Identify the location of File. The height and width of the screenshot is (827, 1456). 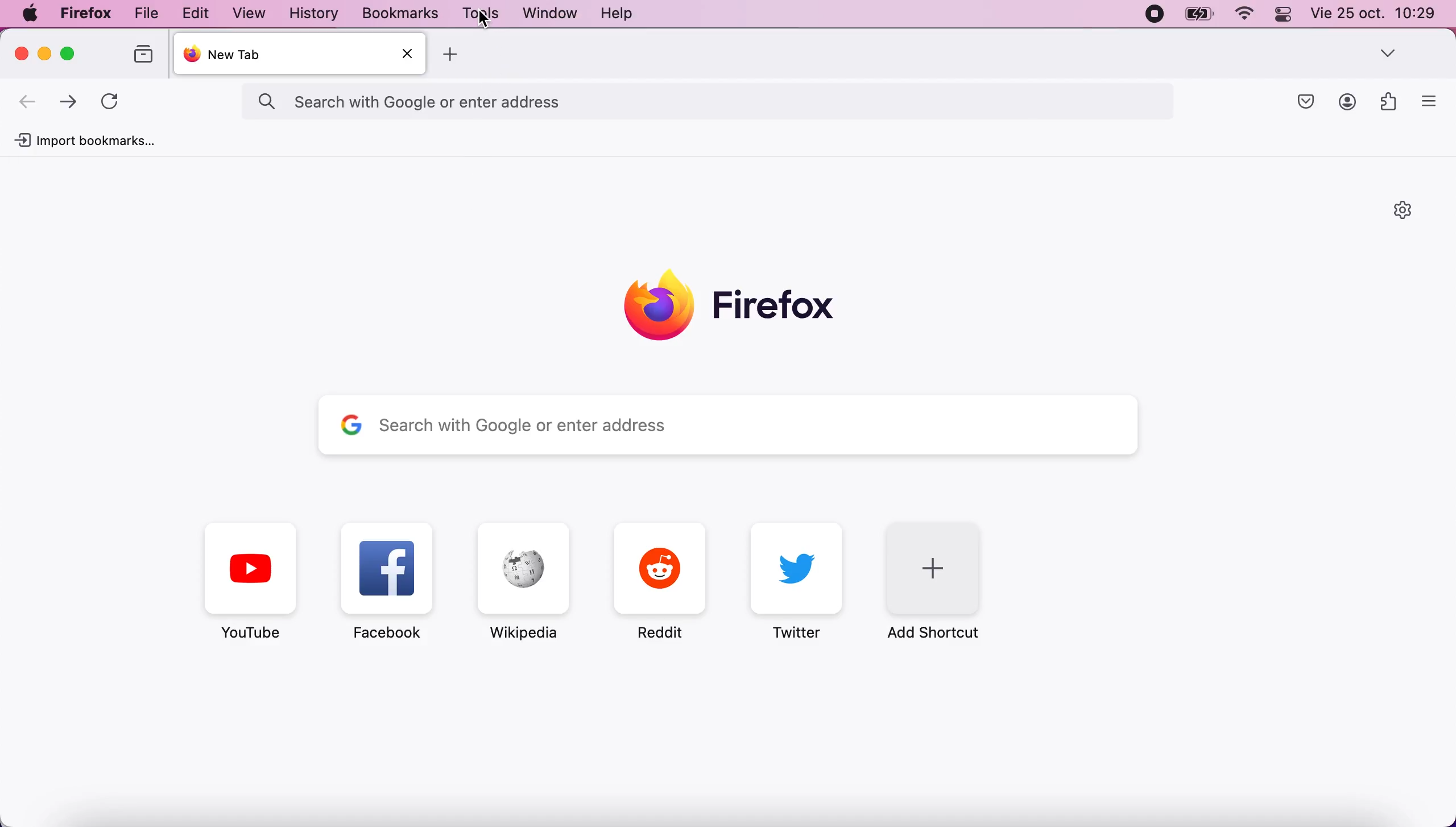
(146, 14).